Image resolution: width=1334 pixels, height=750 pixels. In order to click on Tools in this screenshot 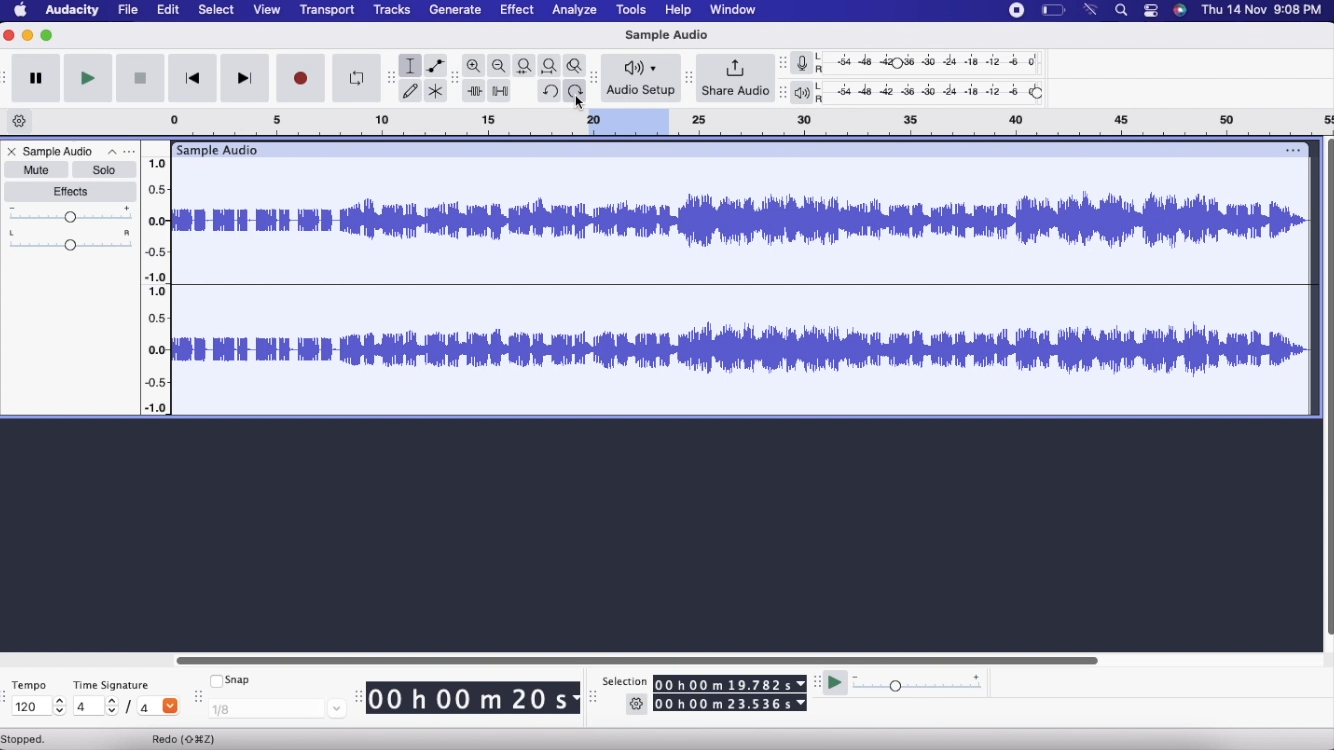, I will do `click(634, 11)`.